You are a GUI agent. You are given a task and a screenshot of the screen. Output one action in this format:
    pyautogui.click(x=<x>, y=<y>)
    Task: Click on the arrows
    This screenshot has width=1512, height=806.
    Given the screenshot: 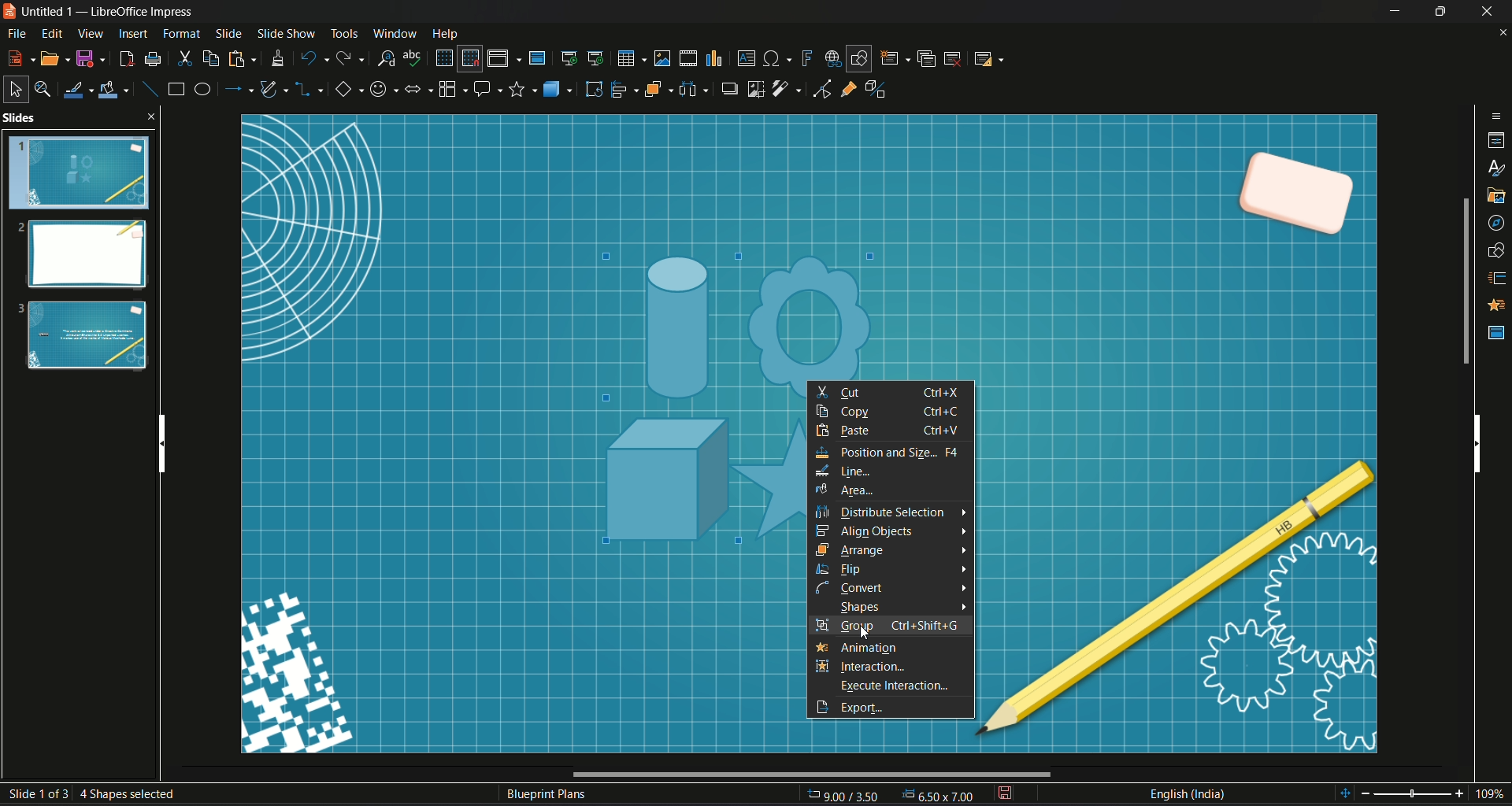 What is the action you would take?
    pyautogui.click(x=963, y=560)
    